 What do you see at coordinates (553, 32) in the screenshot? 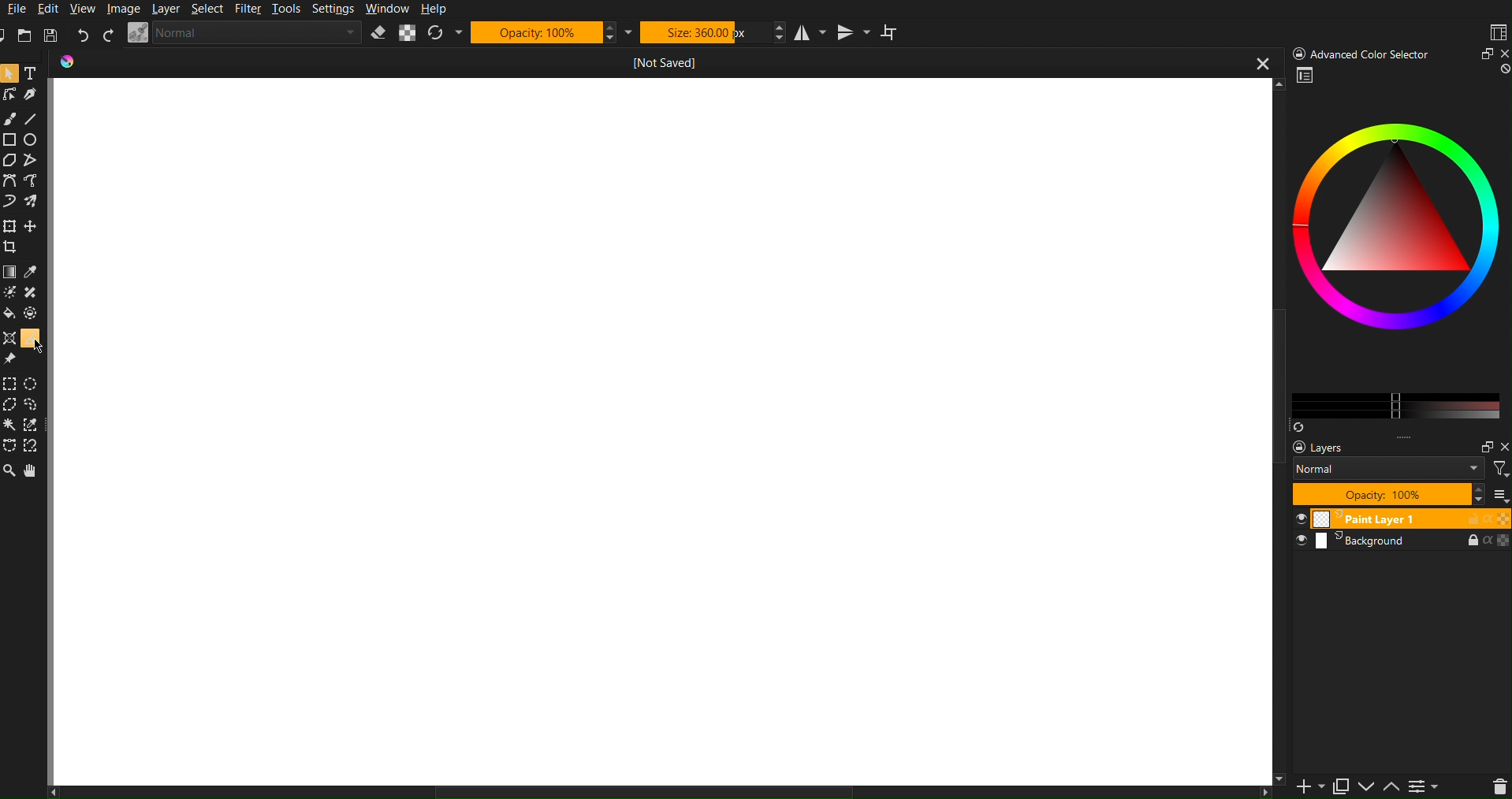
I see `Opacity` at bounding box center [553, 32].